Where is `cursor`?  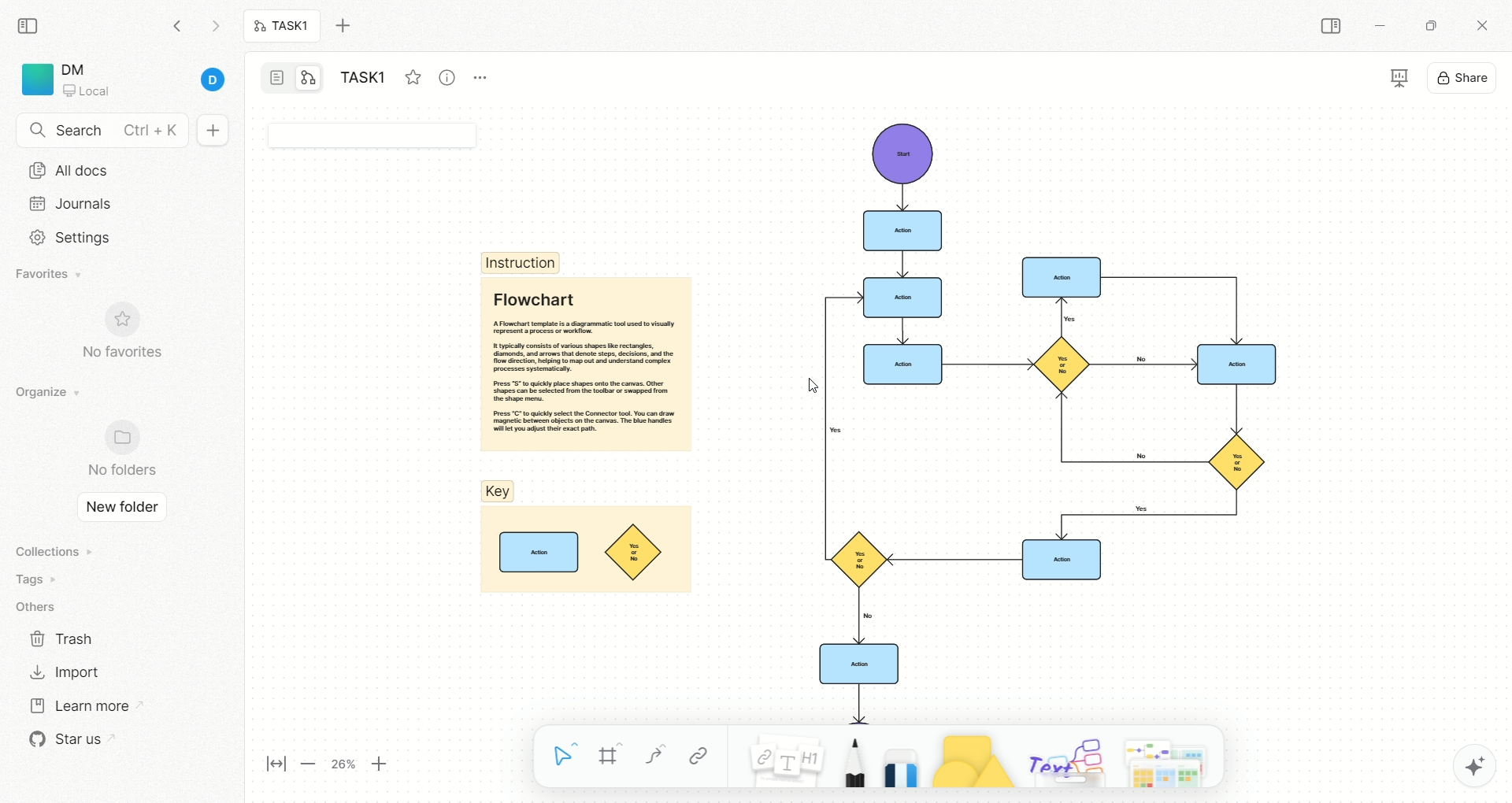 cursor is located at coordinates (809, 386).